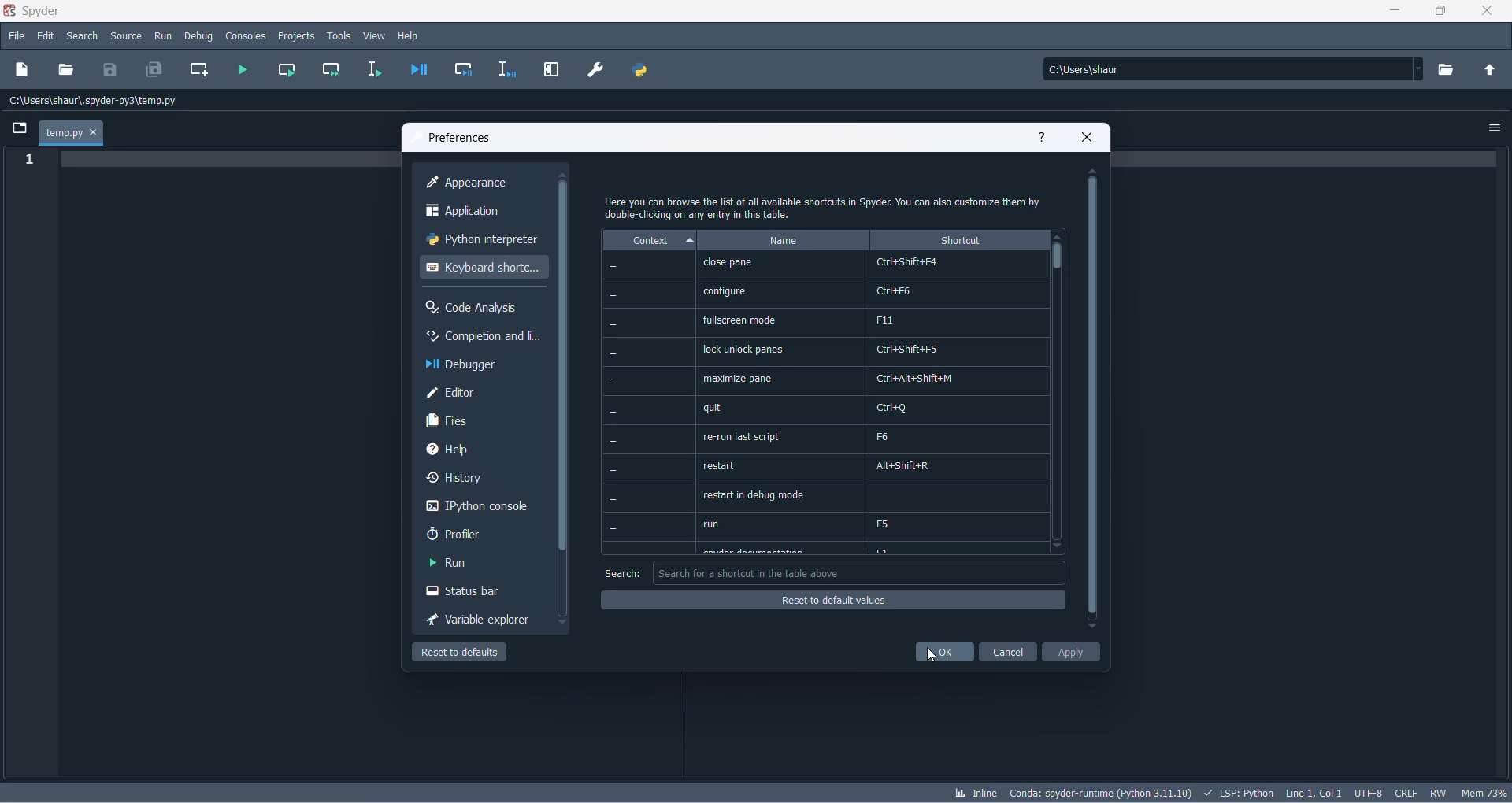  I want to click on shortcut values, so click(961, 403).